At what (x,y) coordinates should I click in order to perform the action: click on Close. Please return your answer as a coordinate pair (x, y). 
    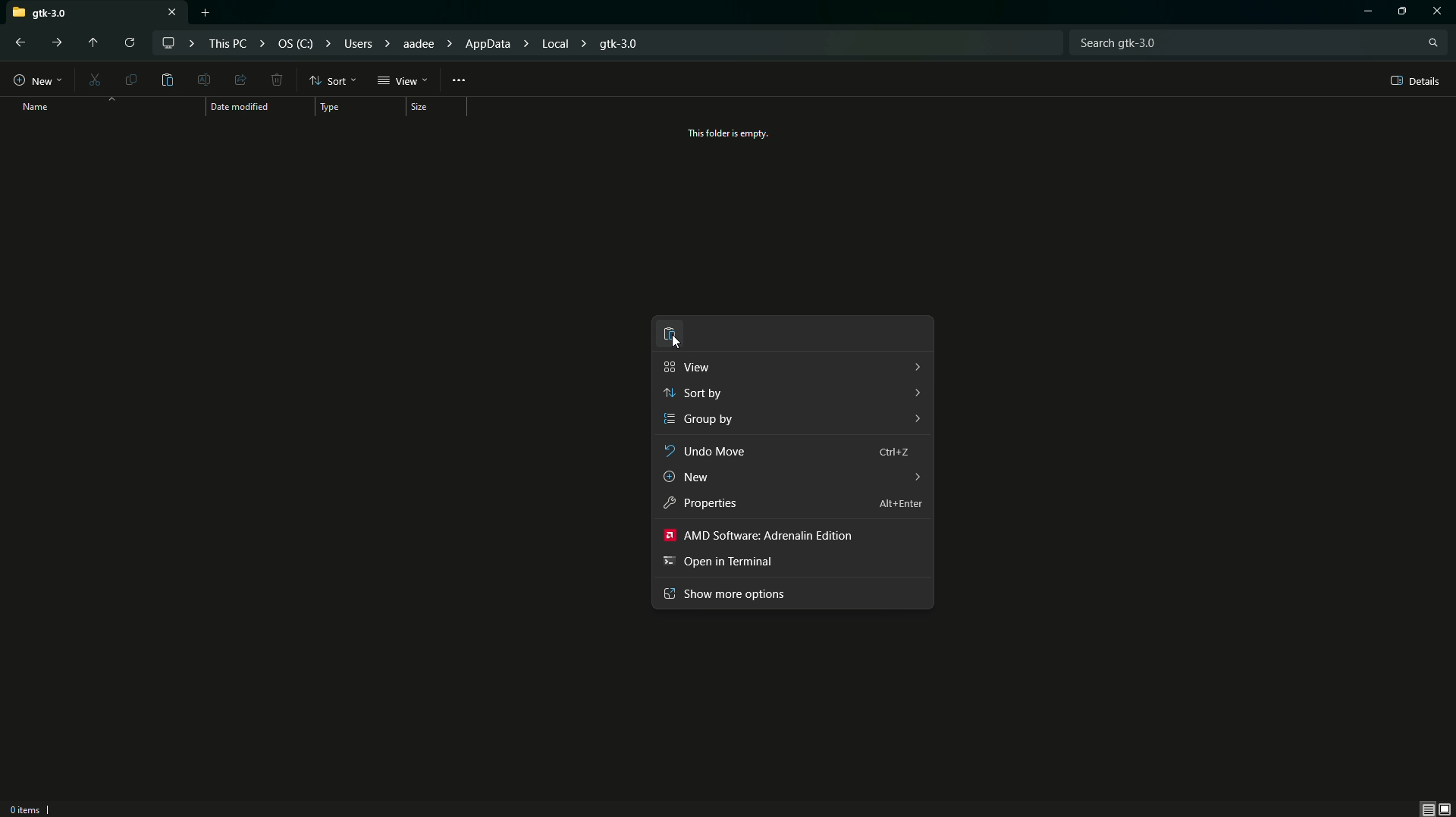
    Looking at the image, I should click on (1440, 11).